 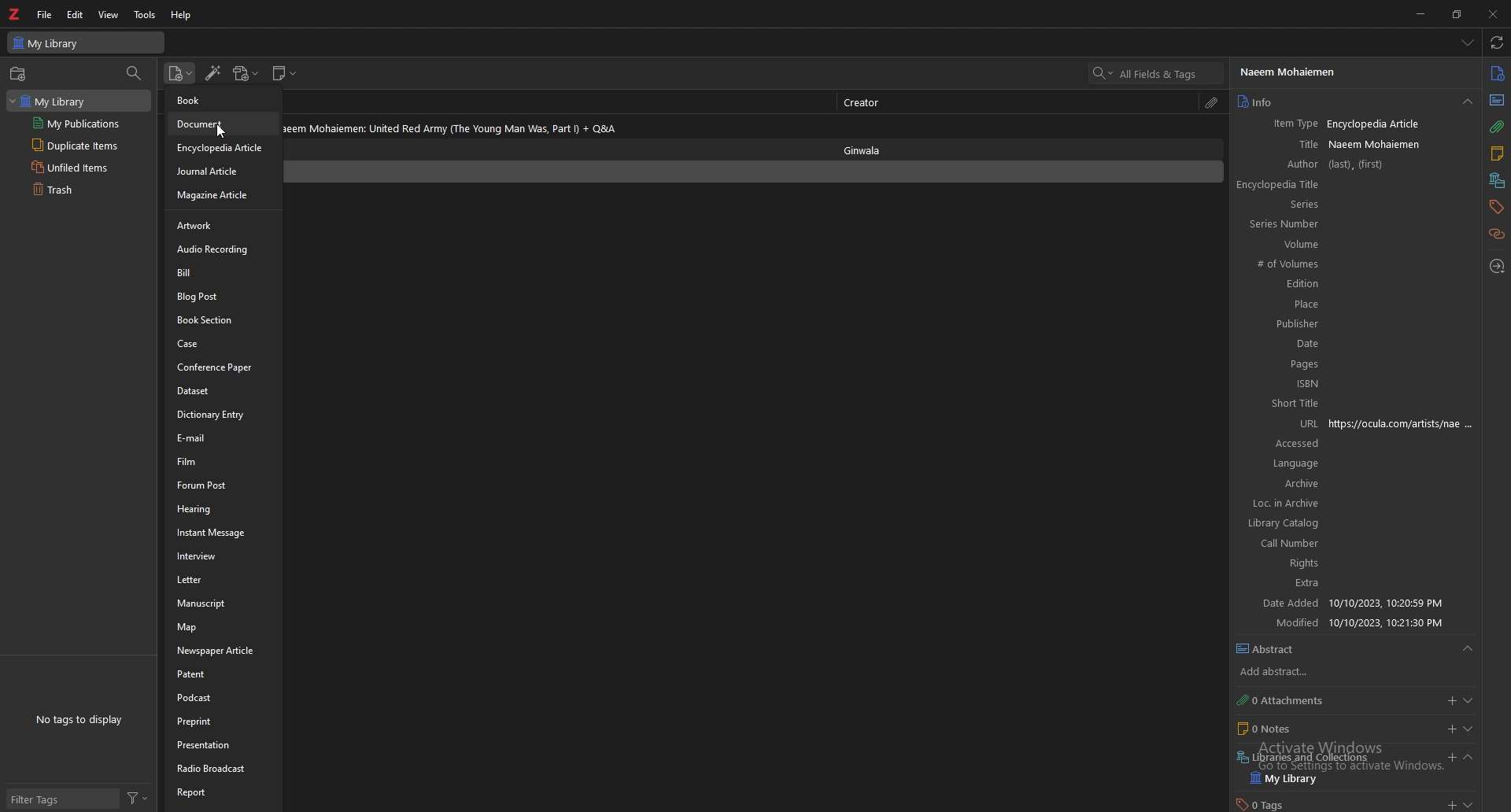 I want to click on add attachment, so click(x=246, y=73).